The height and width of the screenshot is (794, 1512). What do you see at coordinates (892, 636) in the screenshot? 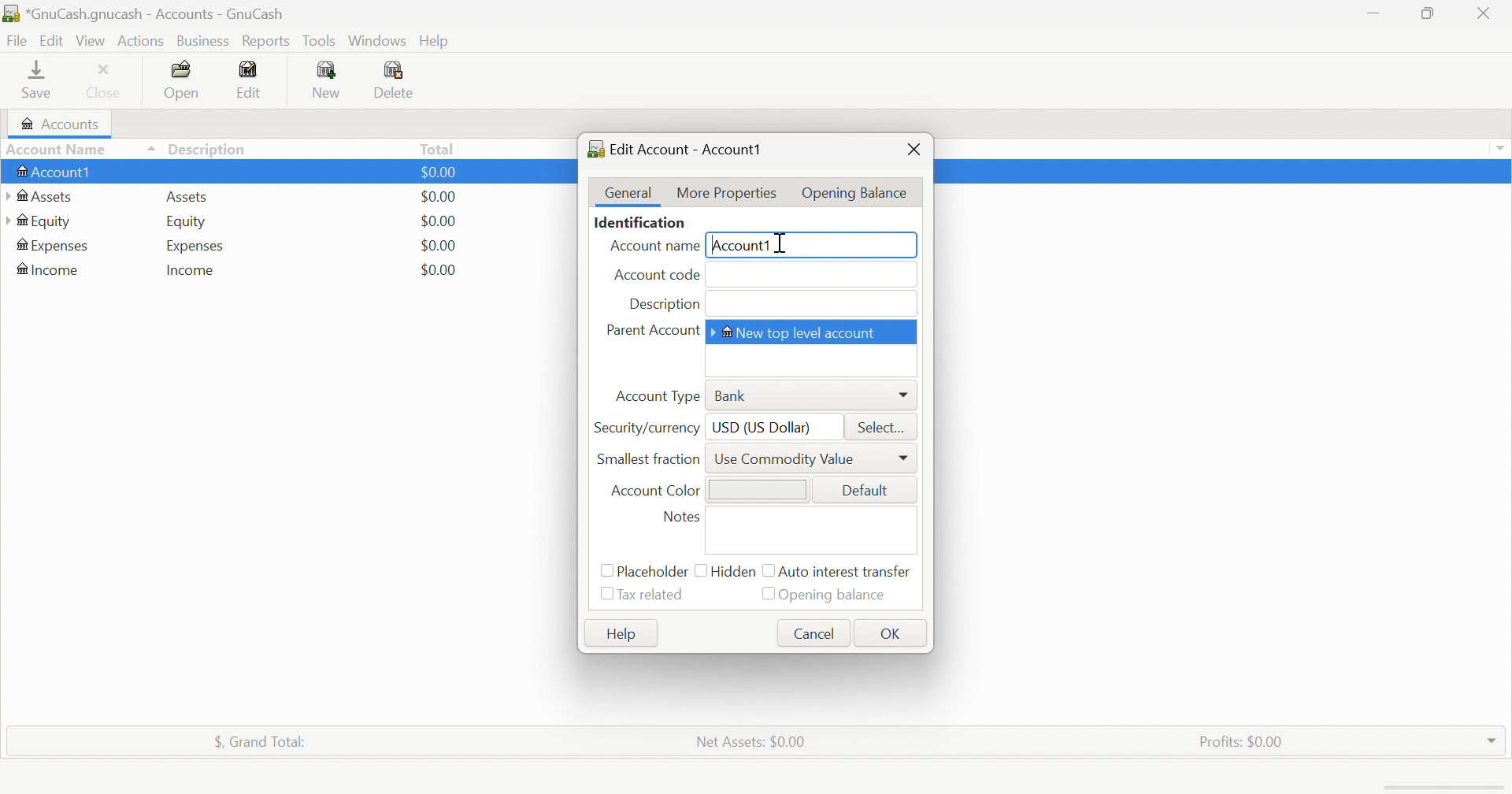
I see `OK` at bounding box center [892, 636].